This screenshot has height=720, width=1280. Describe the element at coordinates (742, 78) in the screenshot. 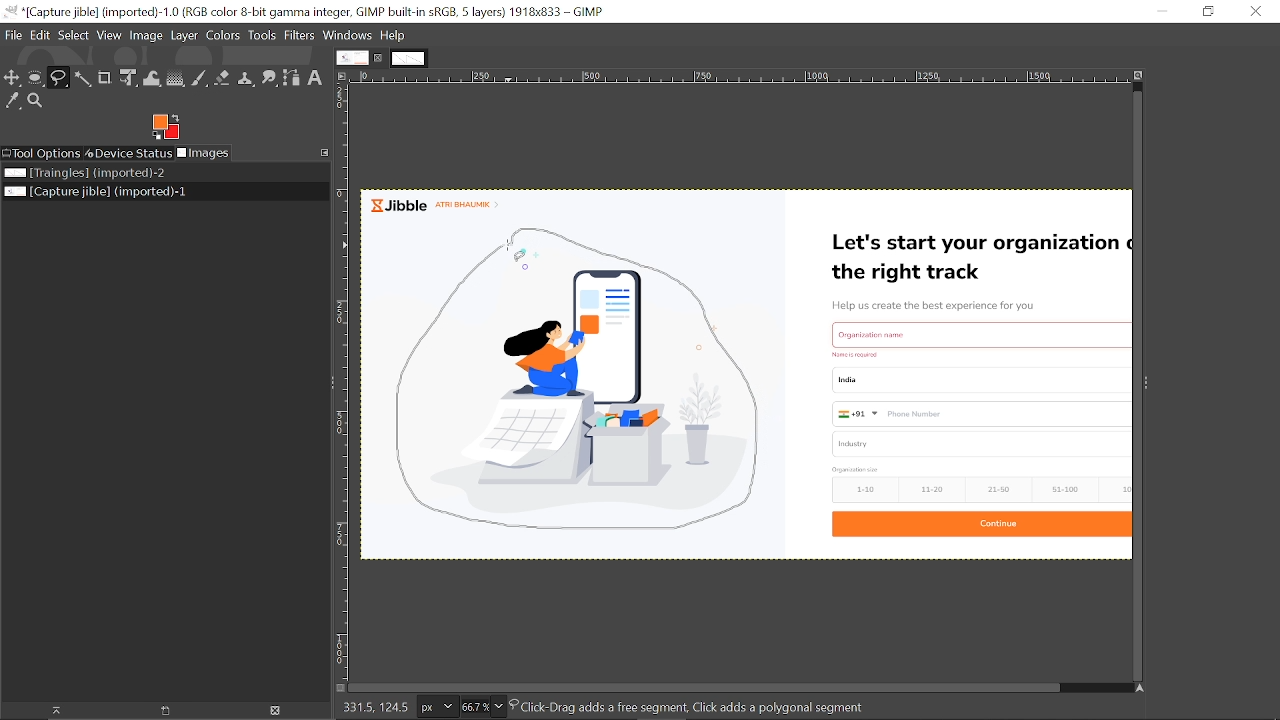

I see `Horizontal label` at that location.